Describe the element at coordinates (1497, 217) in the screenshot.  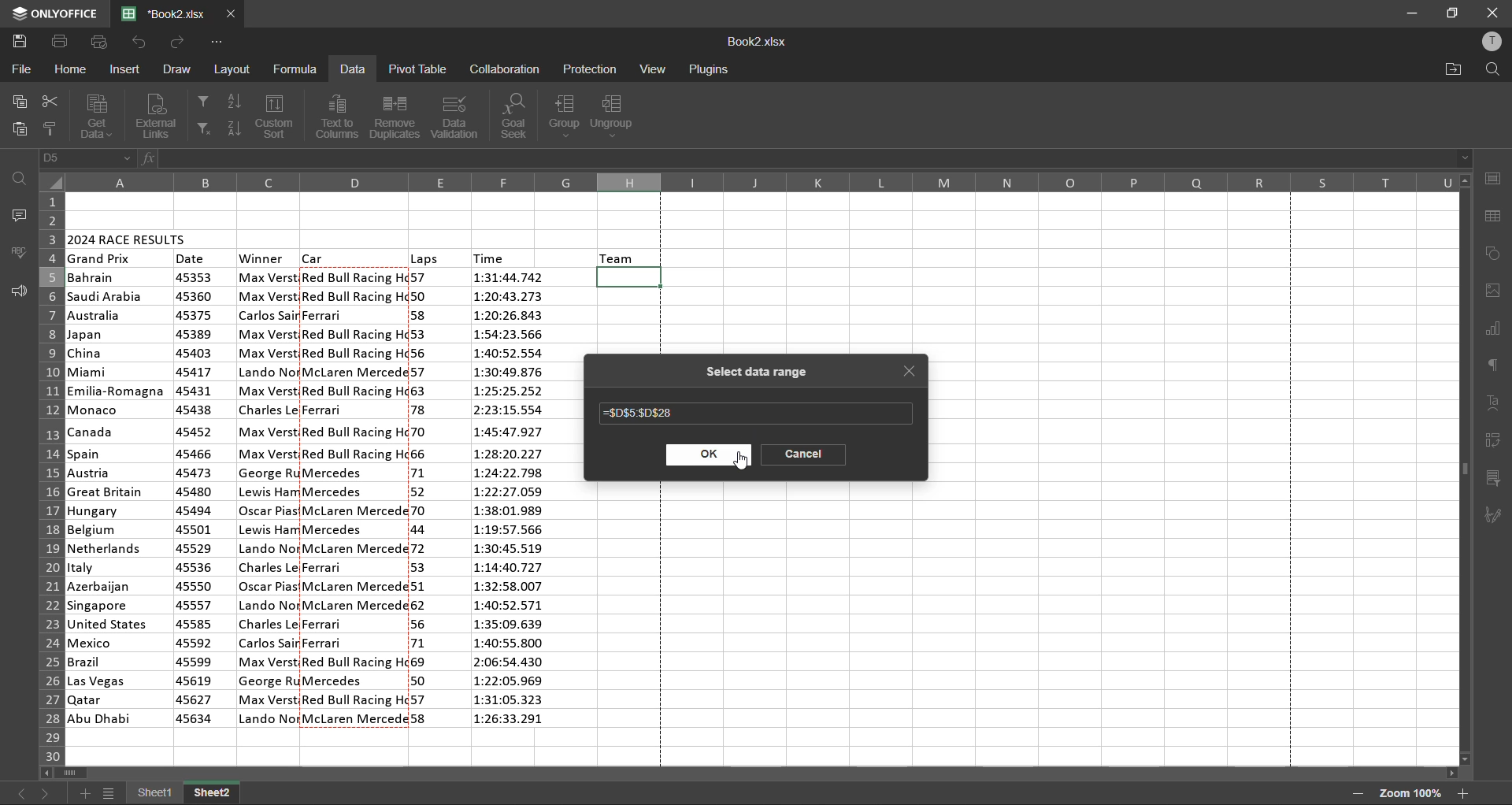
I see `table` at that location.